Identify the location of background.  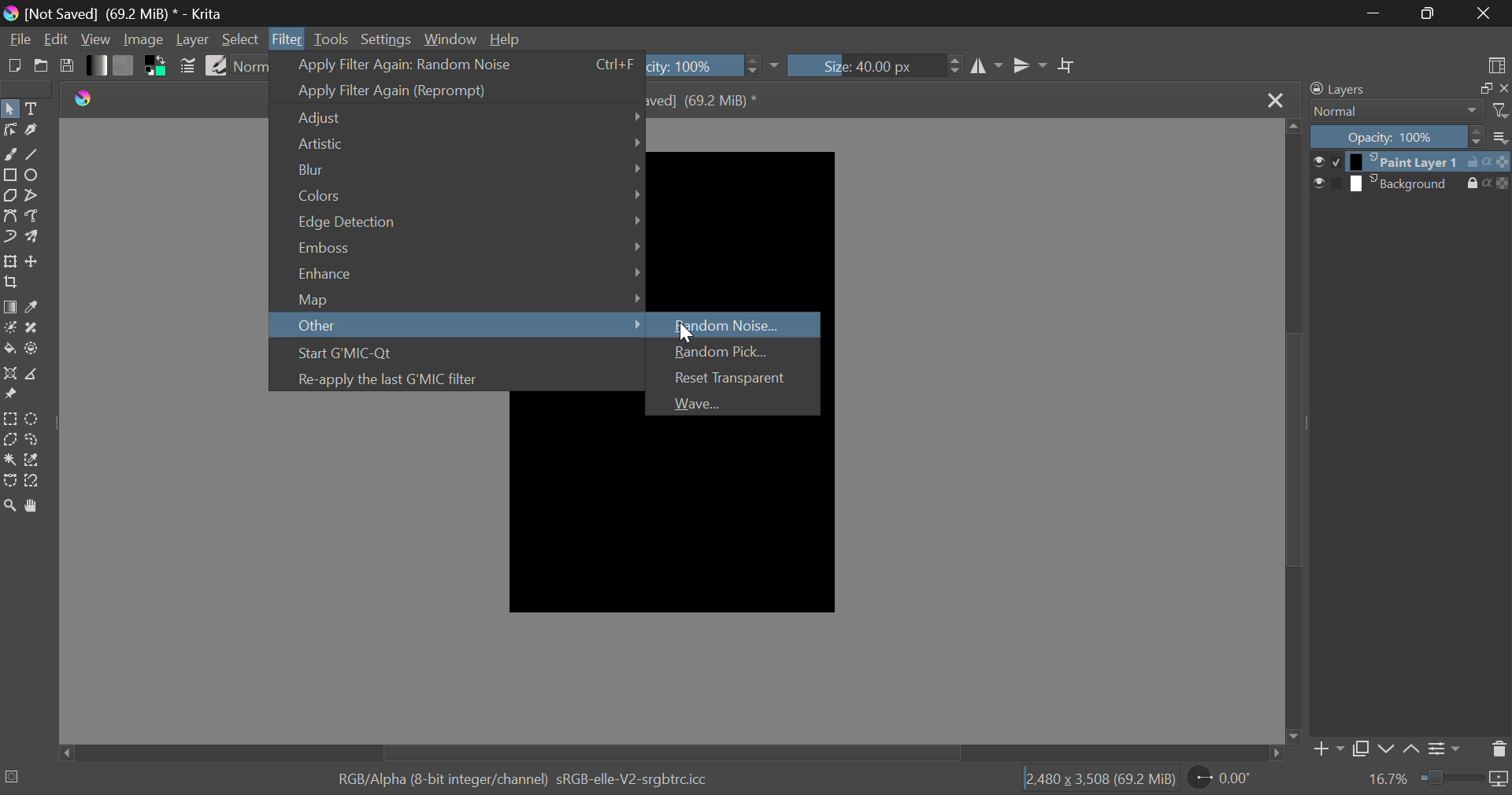
(1401, 183).